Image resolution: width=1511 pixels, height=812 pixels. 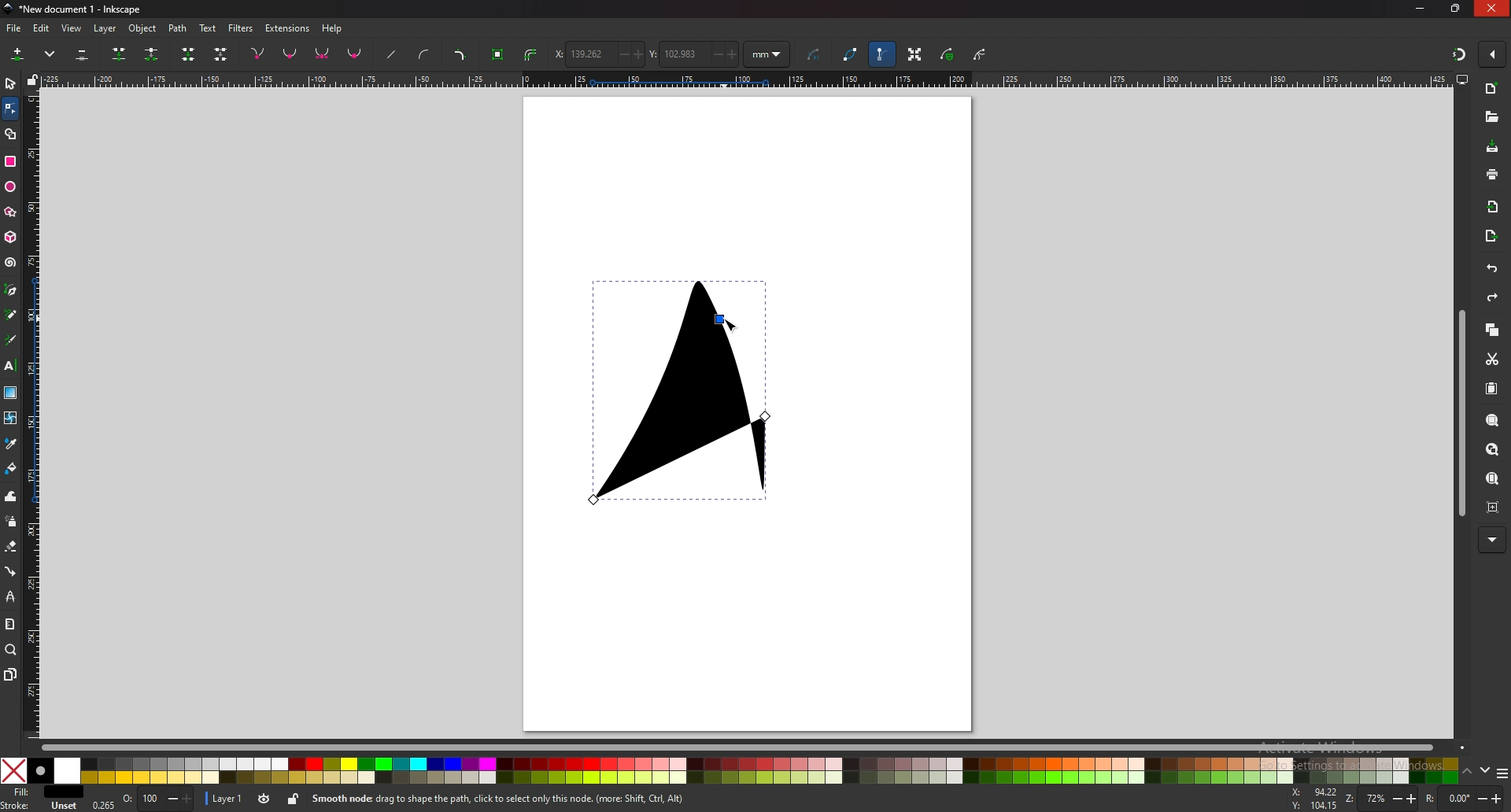 I want to click on rotate, so click(x=1465, y=798).